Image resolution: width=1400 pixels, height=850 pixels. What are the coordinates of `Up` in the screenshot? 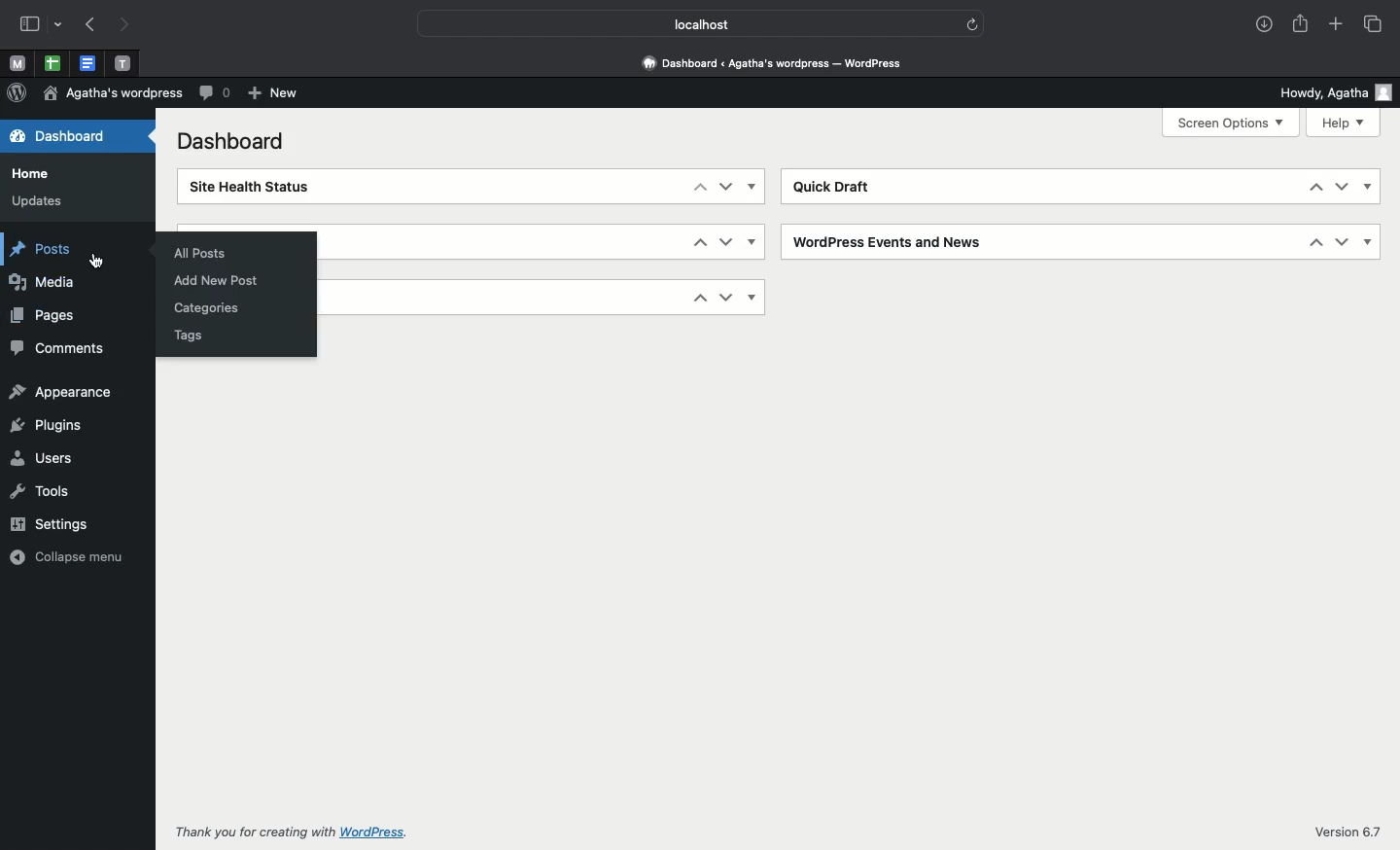 It's located at (1312, 188).